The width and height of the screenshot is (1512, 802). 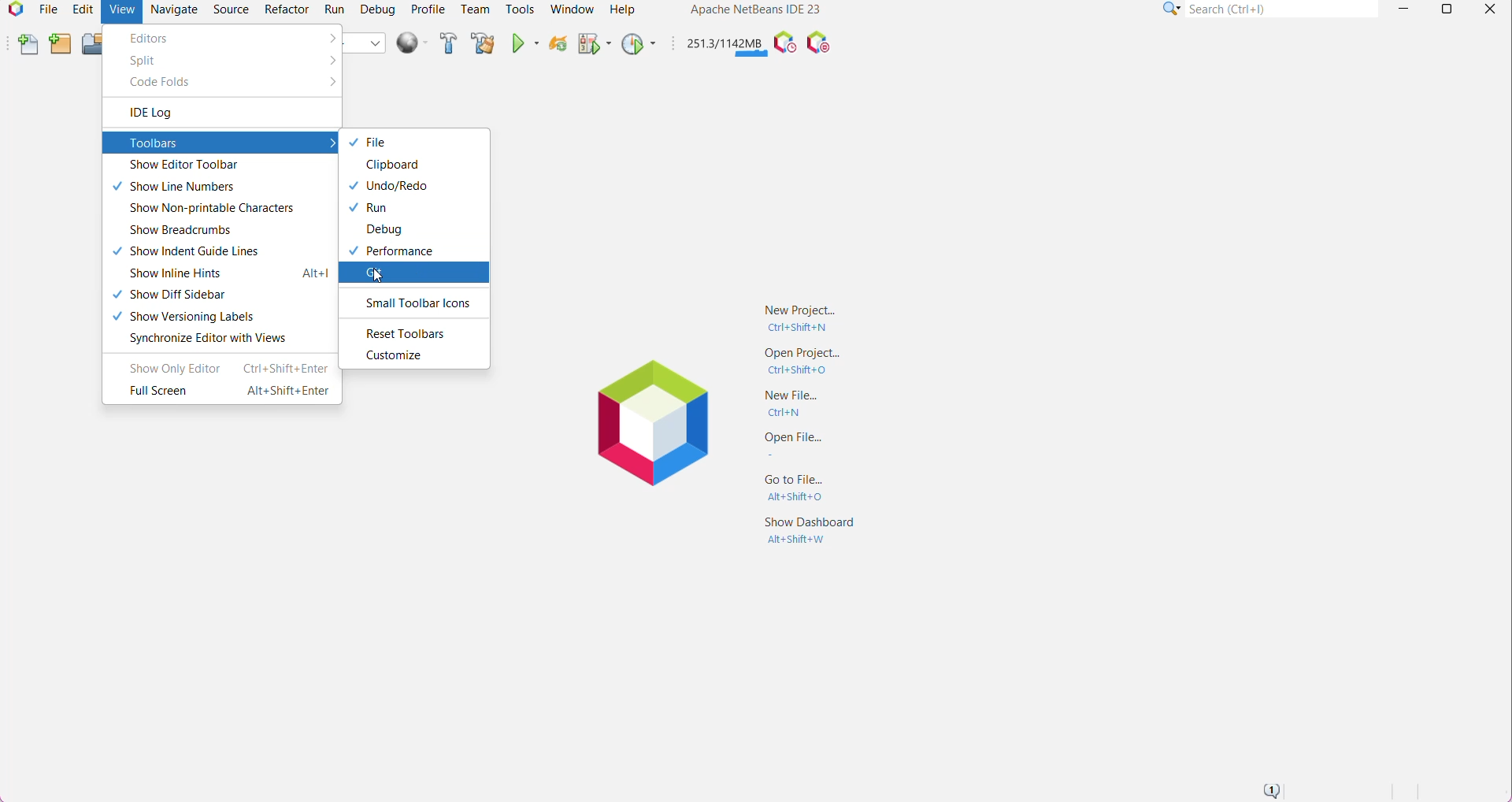 What do you see at coordinates (428, 9) in the screenshot?
I see `Profile` at bounding box center [428, 9].